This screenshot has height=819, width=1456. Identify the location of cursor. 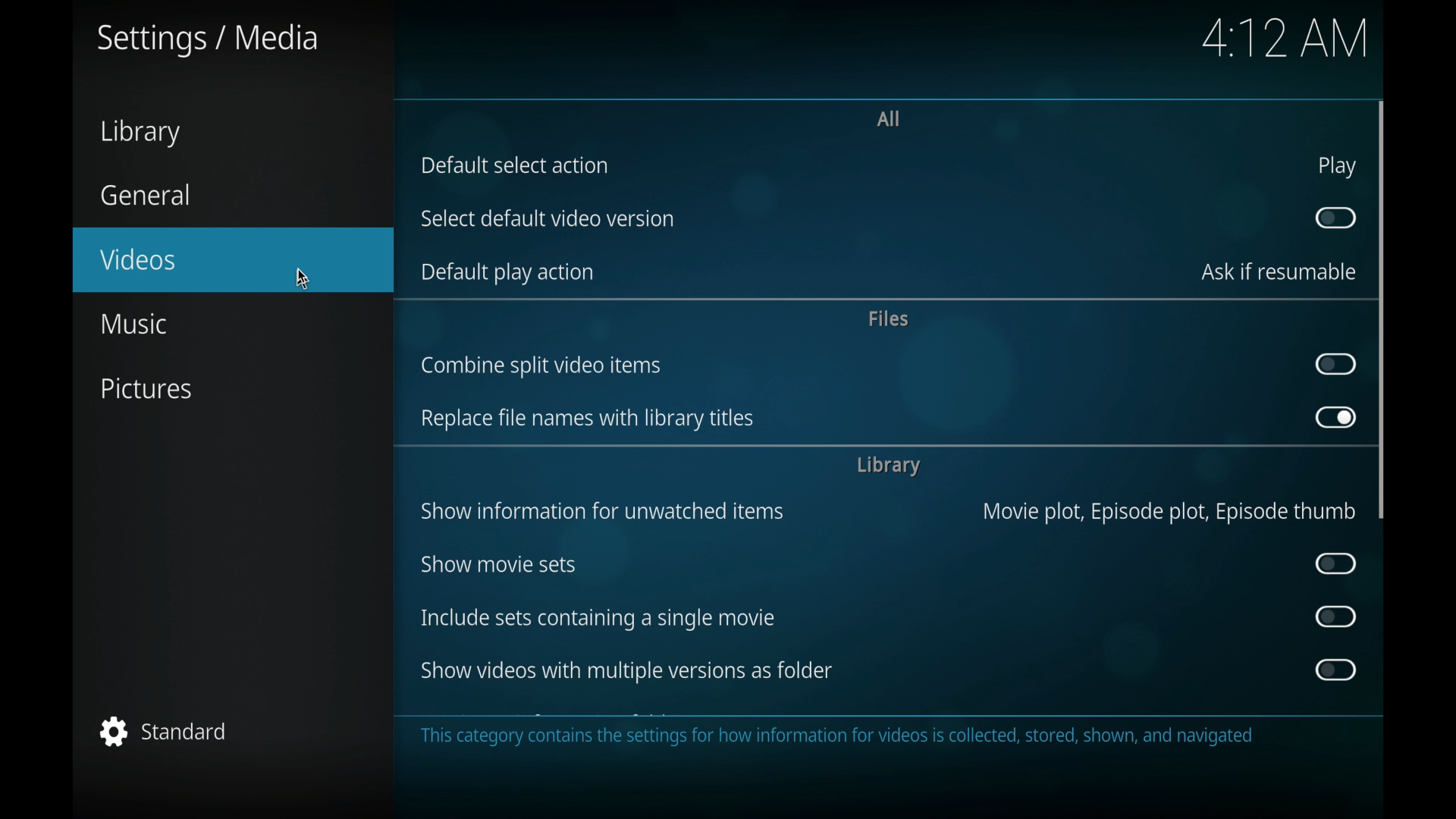
(308, 284).